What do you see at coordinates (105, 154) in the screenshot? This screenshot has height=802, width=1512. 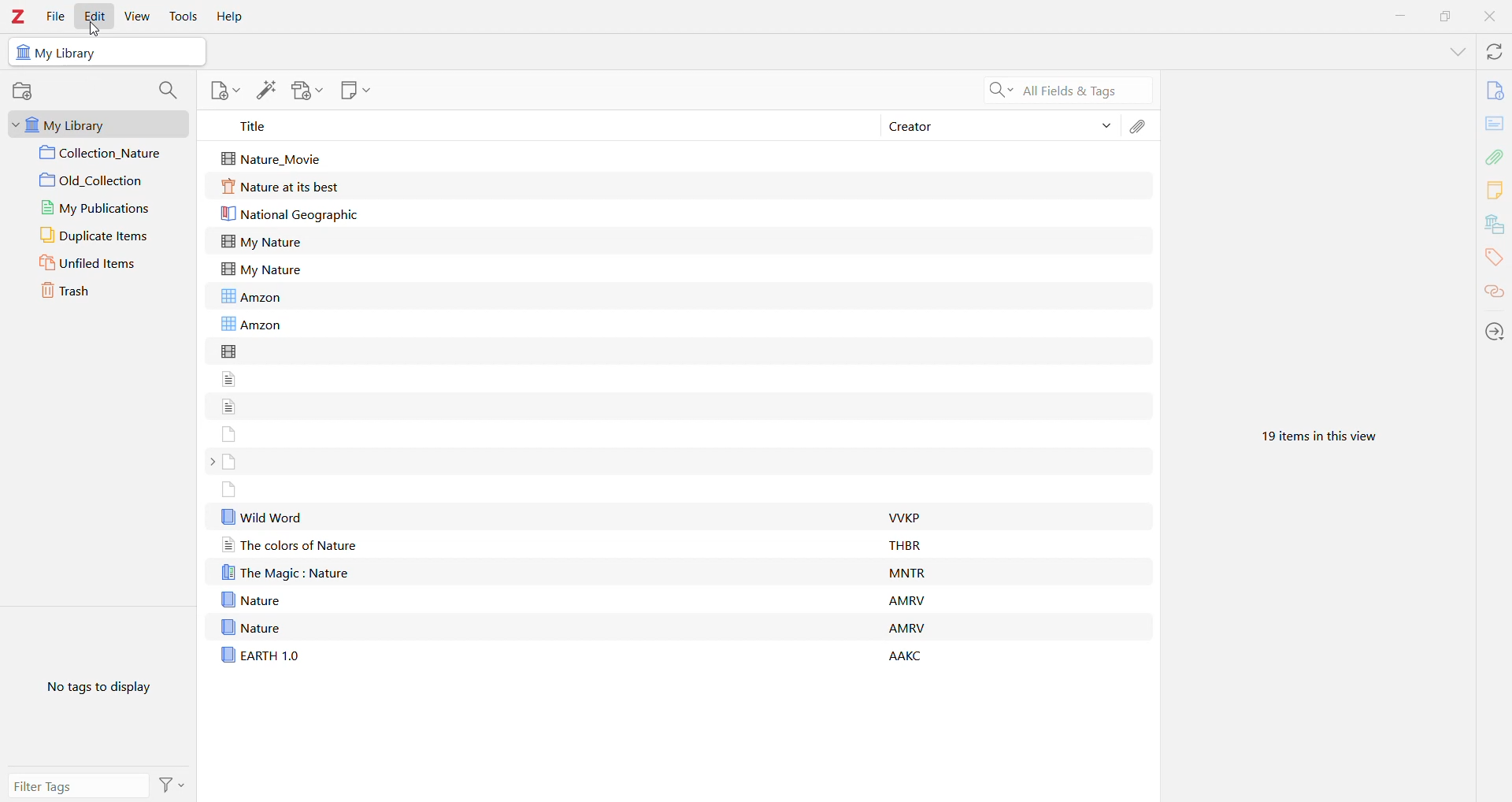 I see `Collection 1` at bounding box center [105, 154].